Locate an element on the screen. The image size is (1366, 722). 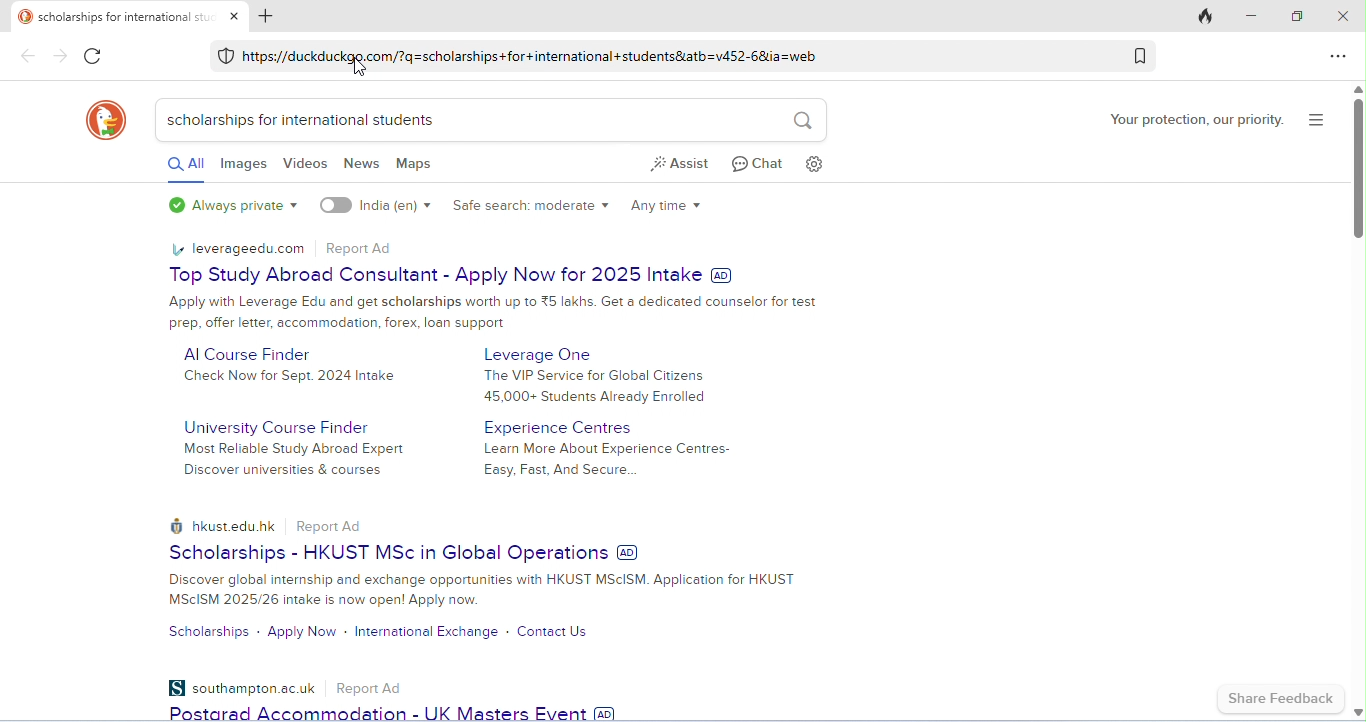
always private is located at coordinates (235, 206).